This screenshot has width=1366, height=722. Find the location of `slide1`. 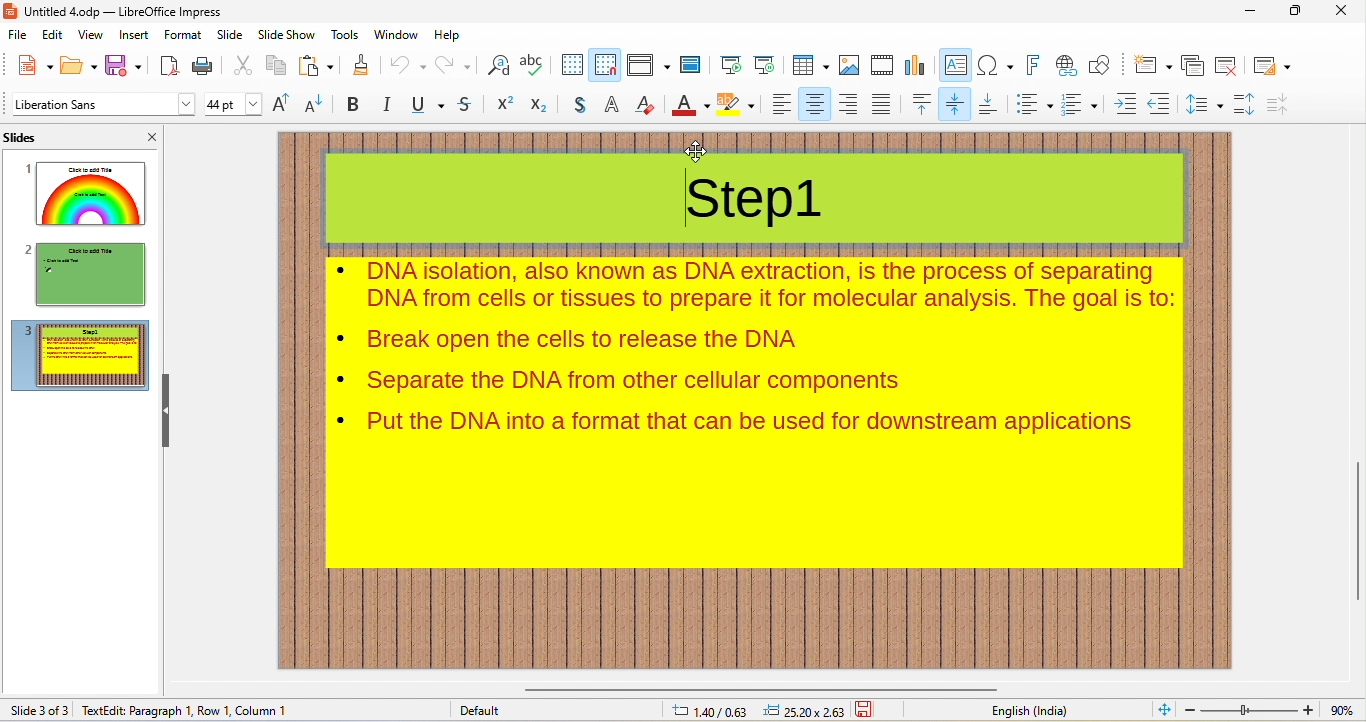

slide1 is located at coordinates (80, 192).